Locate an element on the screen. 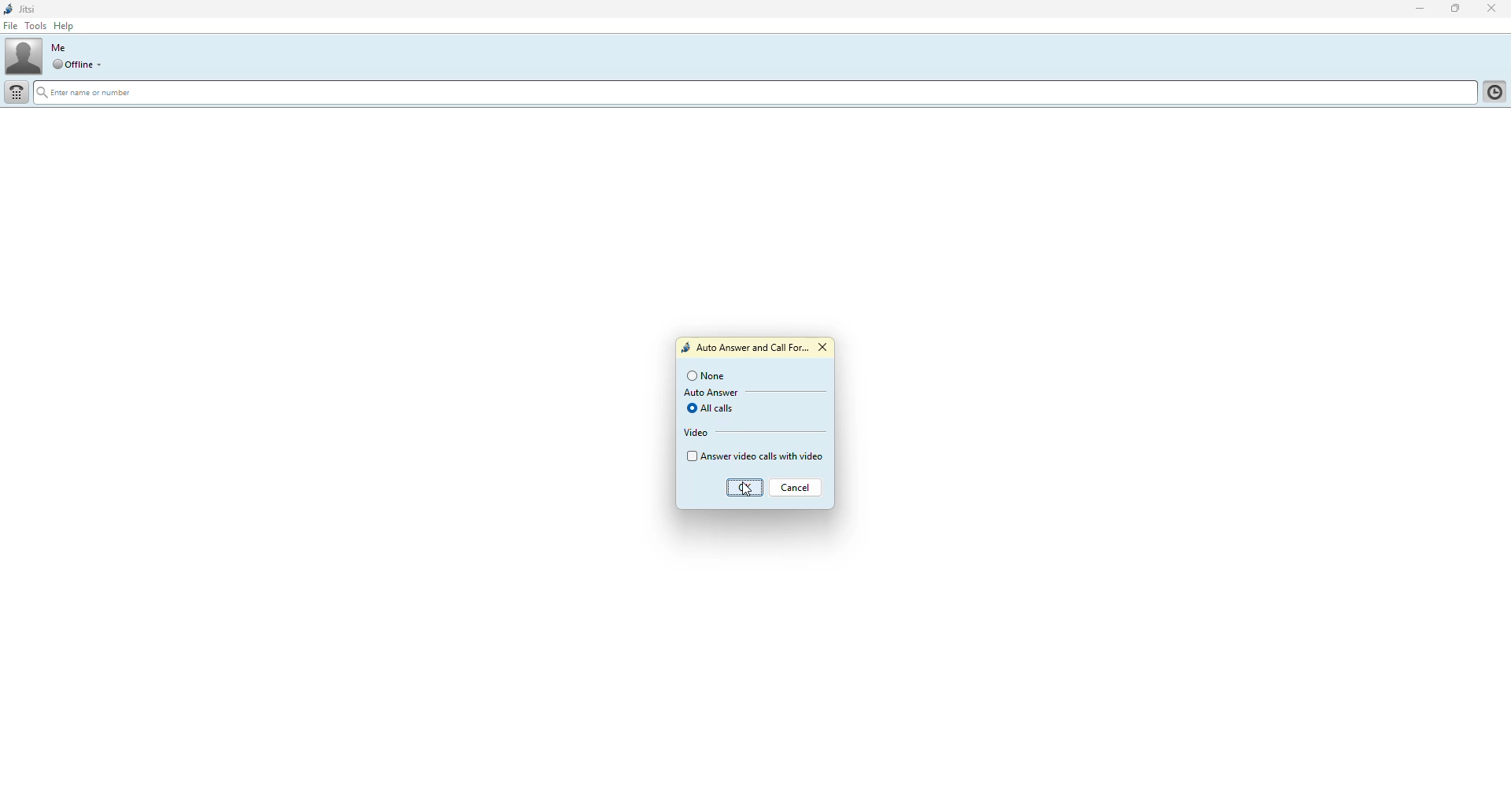  all calls is located at coordinates (714, 408).